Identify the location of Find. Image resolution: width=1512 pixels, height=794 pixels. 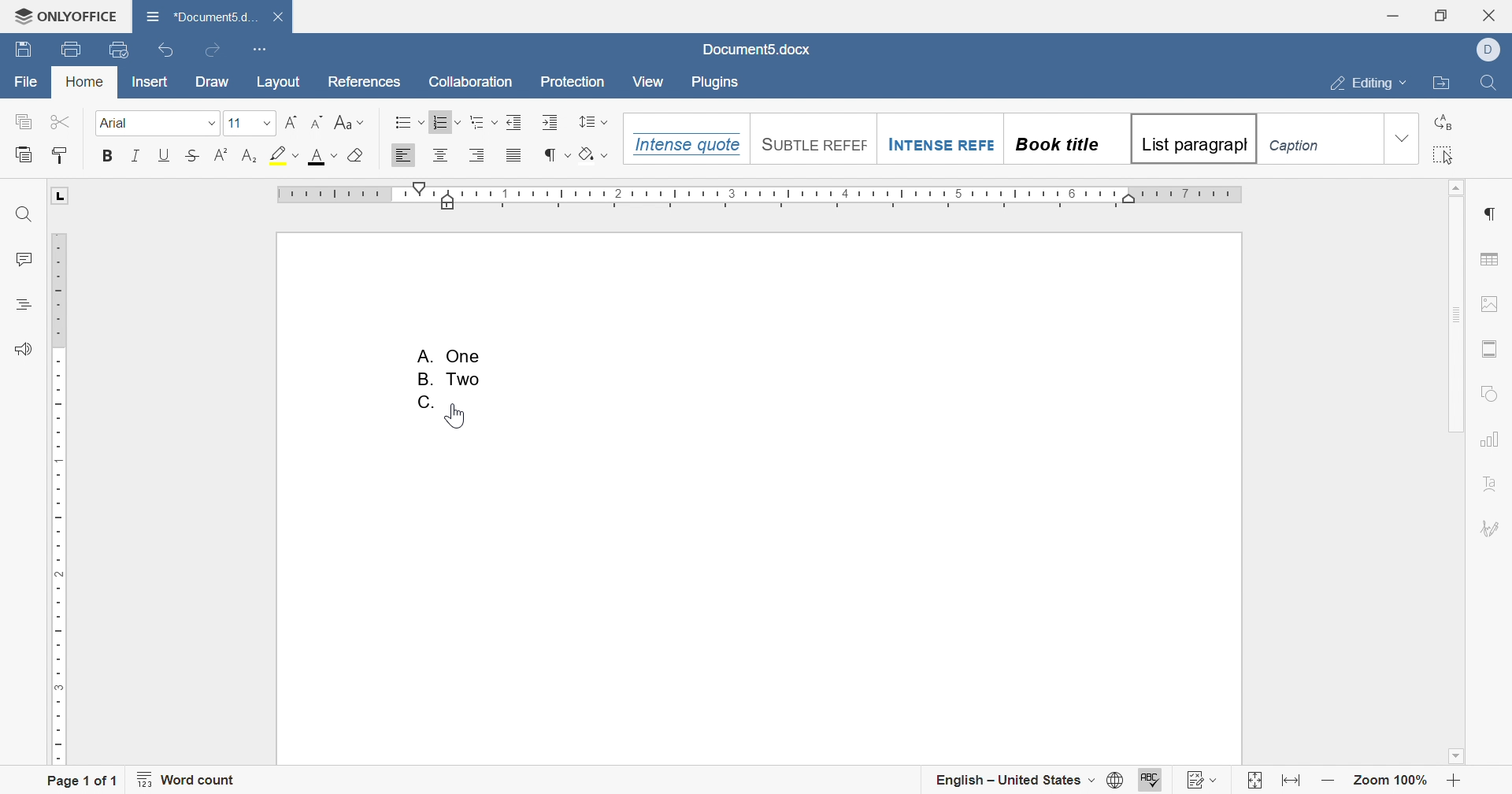
(22, 214).